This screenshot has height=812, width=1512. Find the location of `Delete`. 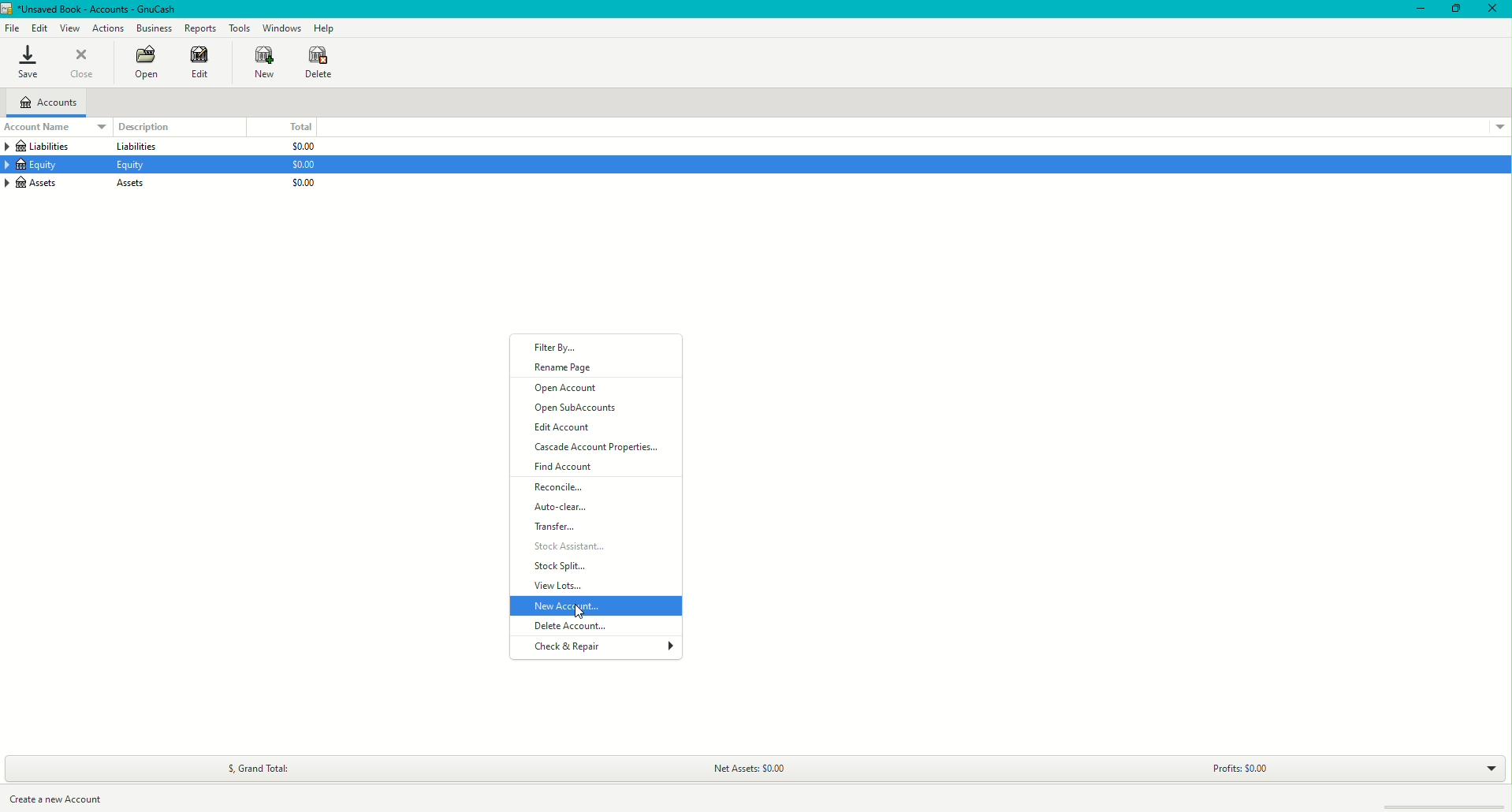

Delete is located at coordinates (322, 62).